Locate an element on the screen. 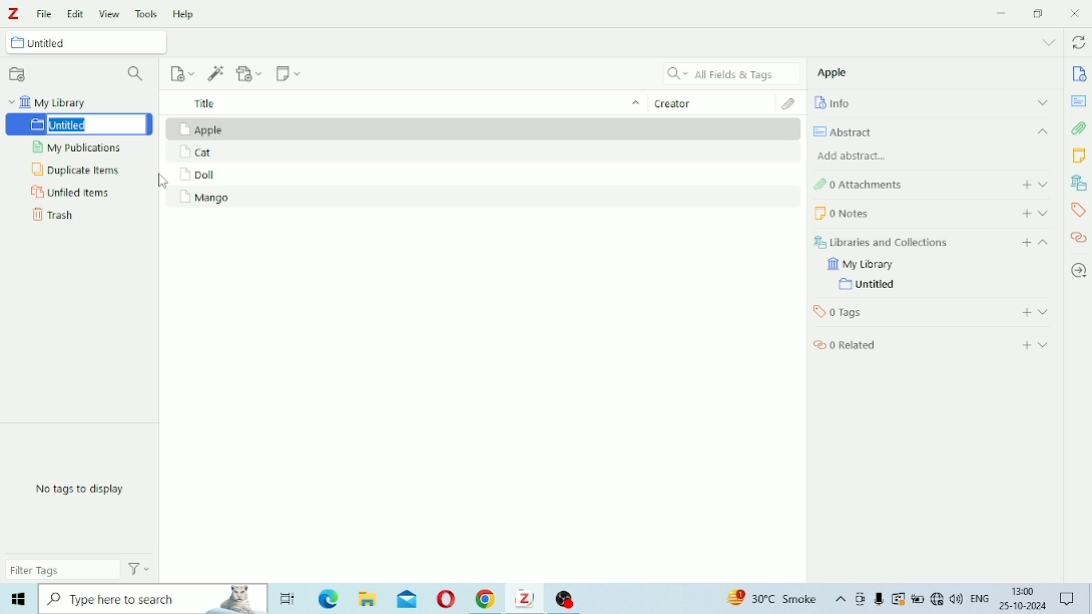 The height and width of the screenshot is (614, 1092). Mango is located at coordinates (203, 198).